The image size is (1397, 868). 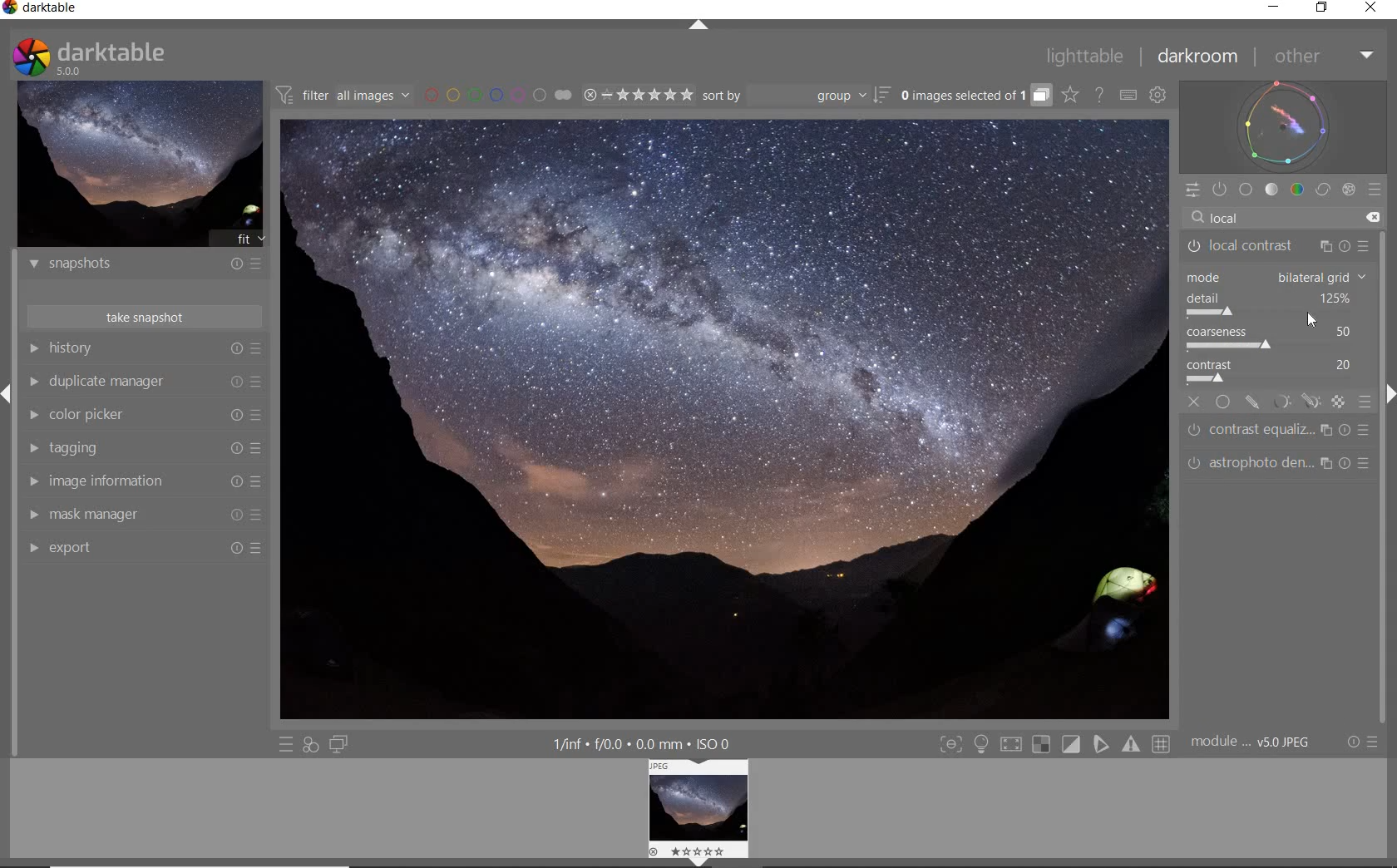 I want to click on presets and preferences, so click(x=257, y=348).